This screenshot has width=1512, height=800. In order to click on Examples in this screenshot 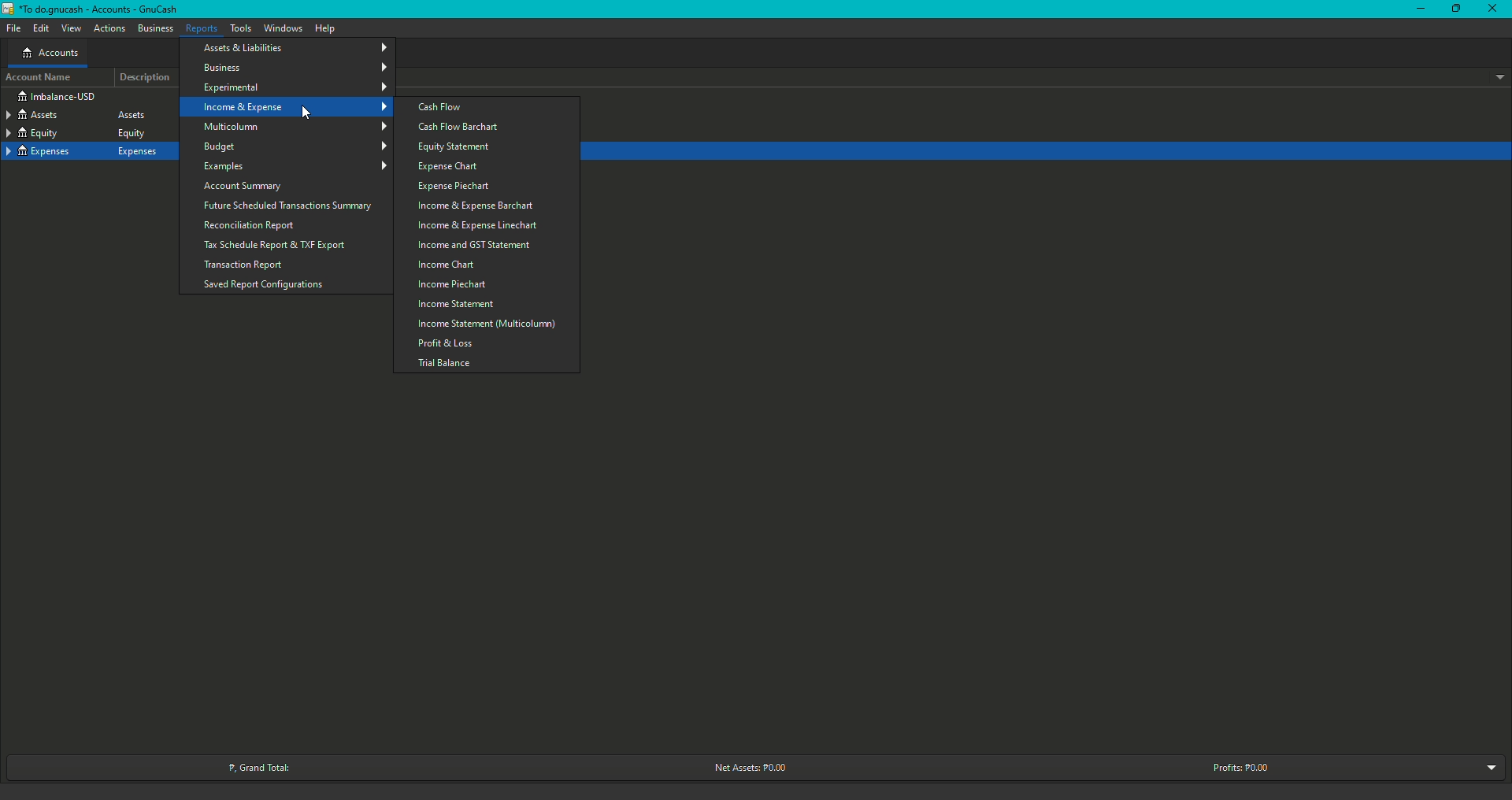, I will do `click(295, 167)`.